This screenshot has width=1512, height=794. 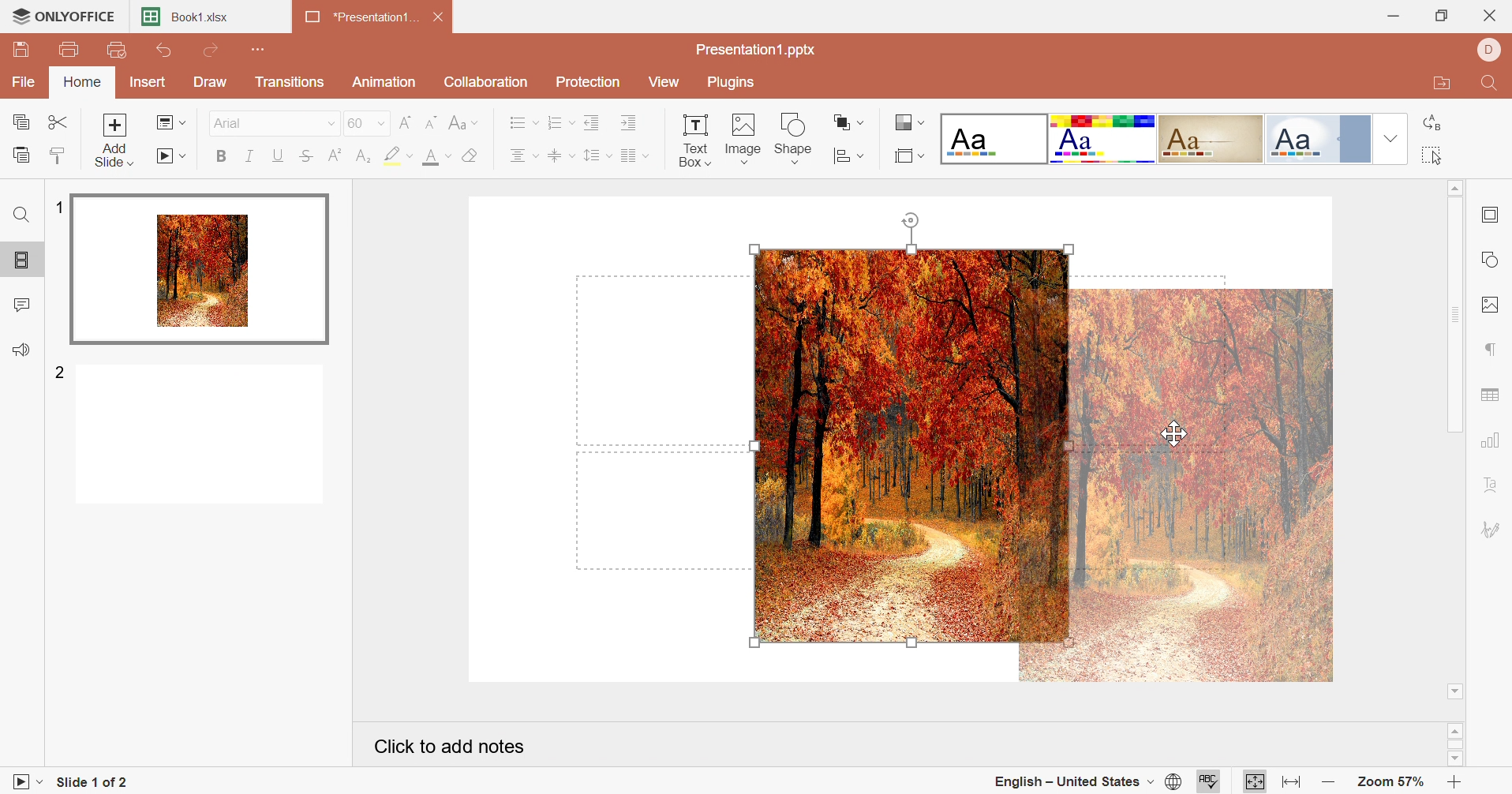 What do you see at coordinates (1455, 440) in the screenshot?
I see `Scroll Bar` at bounding box center [1455, 440].